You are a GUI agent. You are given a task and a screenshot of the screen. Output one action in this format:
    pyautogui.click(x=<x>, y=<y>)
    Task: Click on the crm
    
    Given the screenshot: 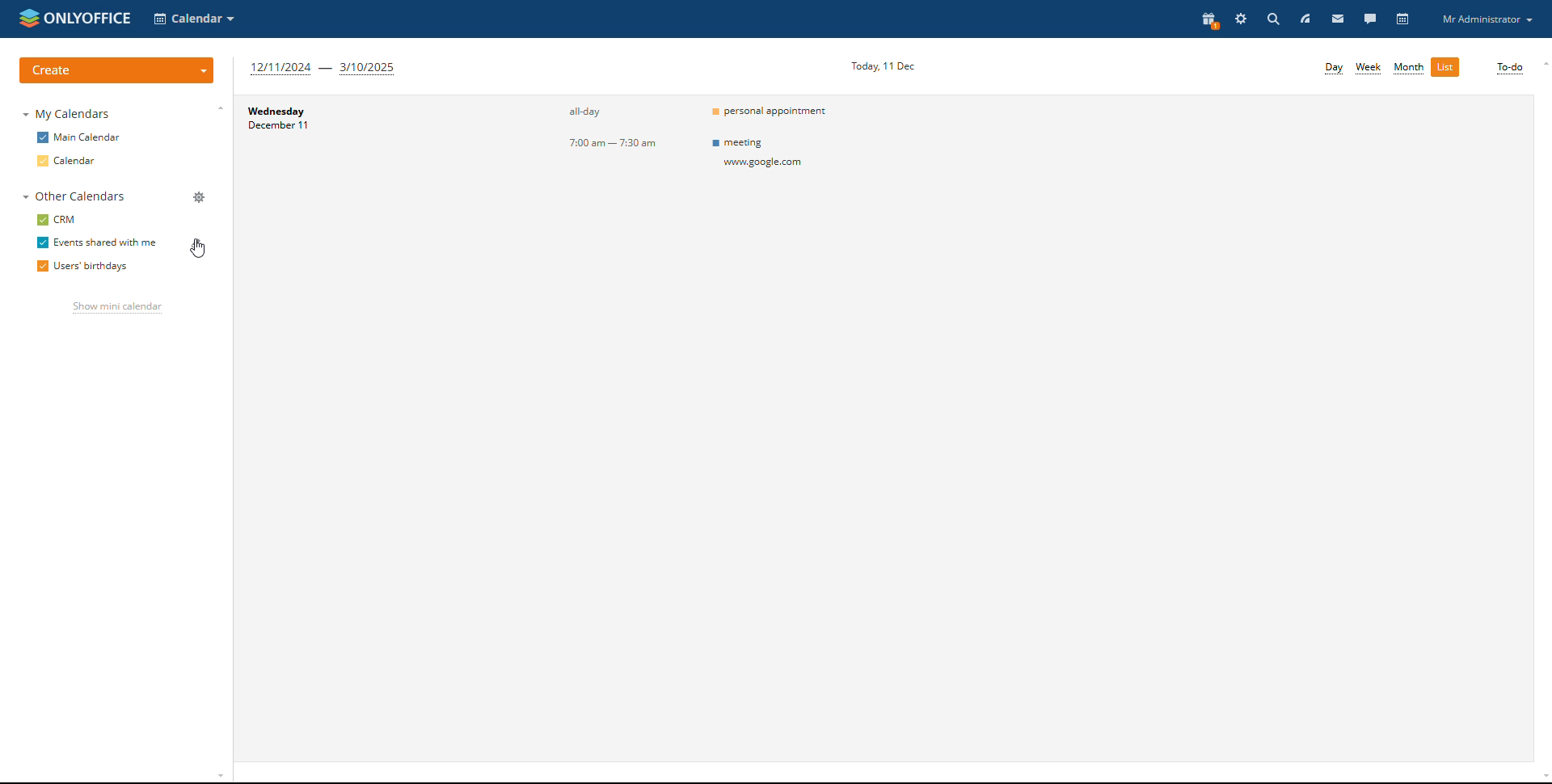 What is the action you would take?
    pyautogui.click(x=58, y=220)
    